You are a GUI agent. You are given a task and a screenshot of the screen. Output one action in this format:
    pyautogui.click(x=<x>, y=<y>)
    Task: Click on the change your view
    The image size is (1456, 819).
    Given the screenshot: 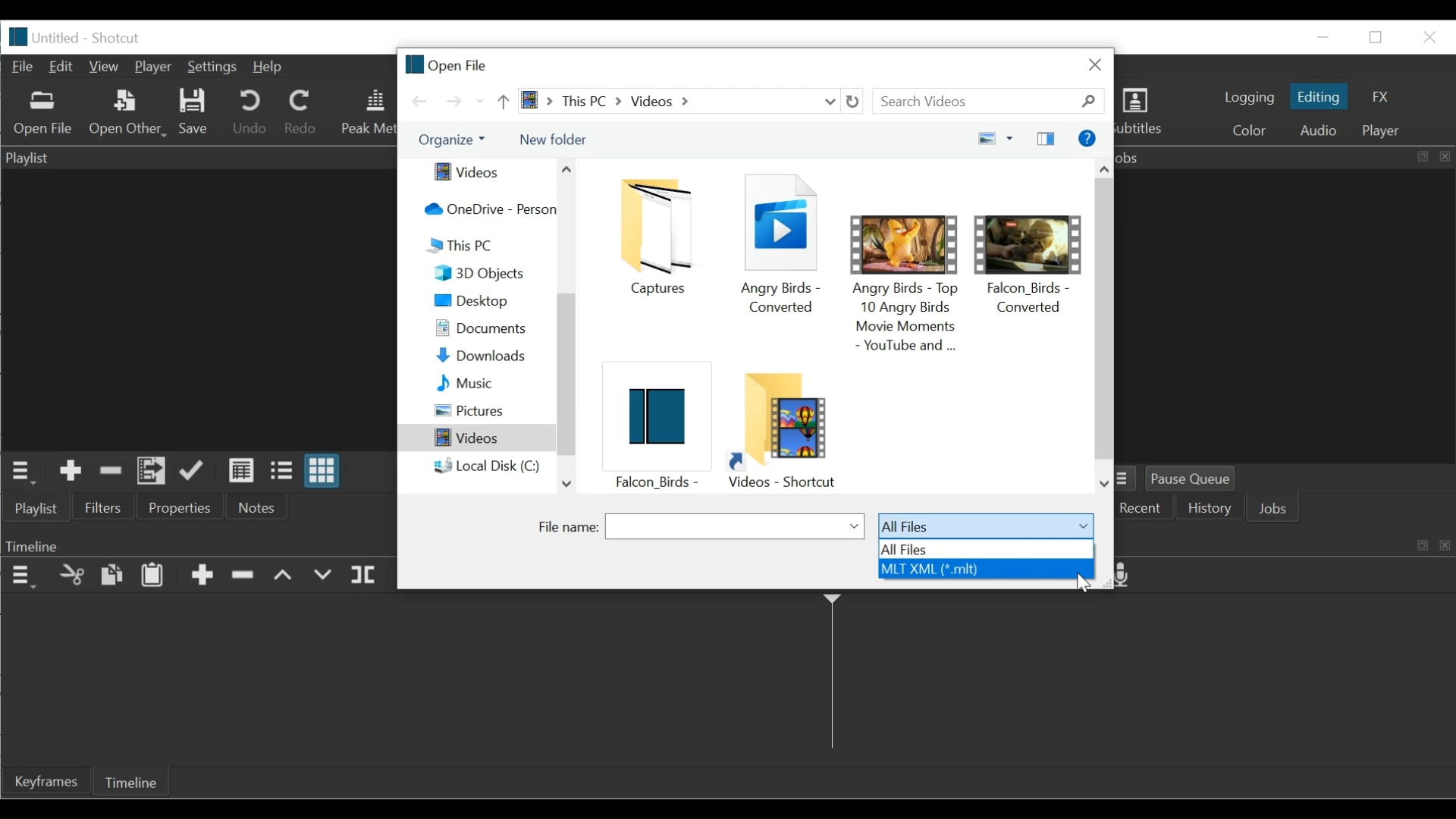 What is the action you would take?
    pyautogui.click(x=982, y=139)
    